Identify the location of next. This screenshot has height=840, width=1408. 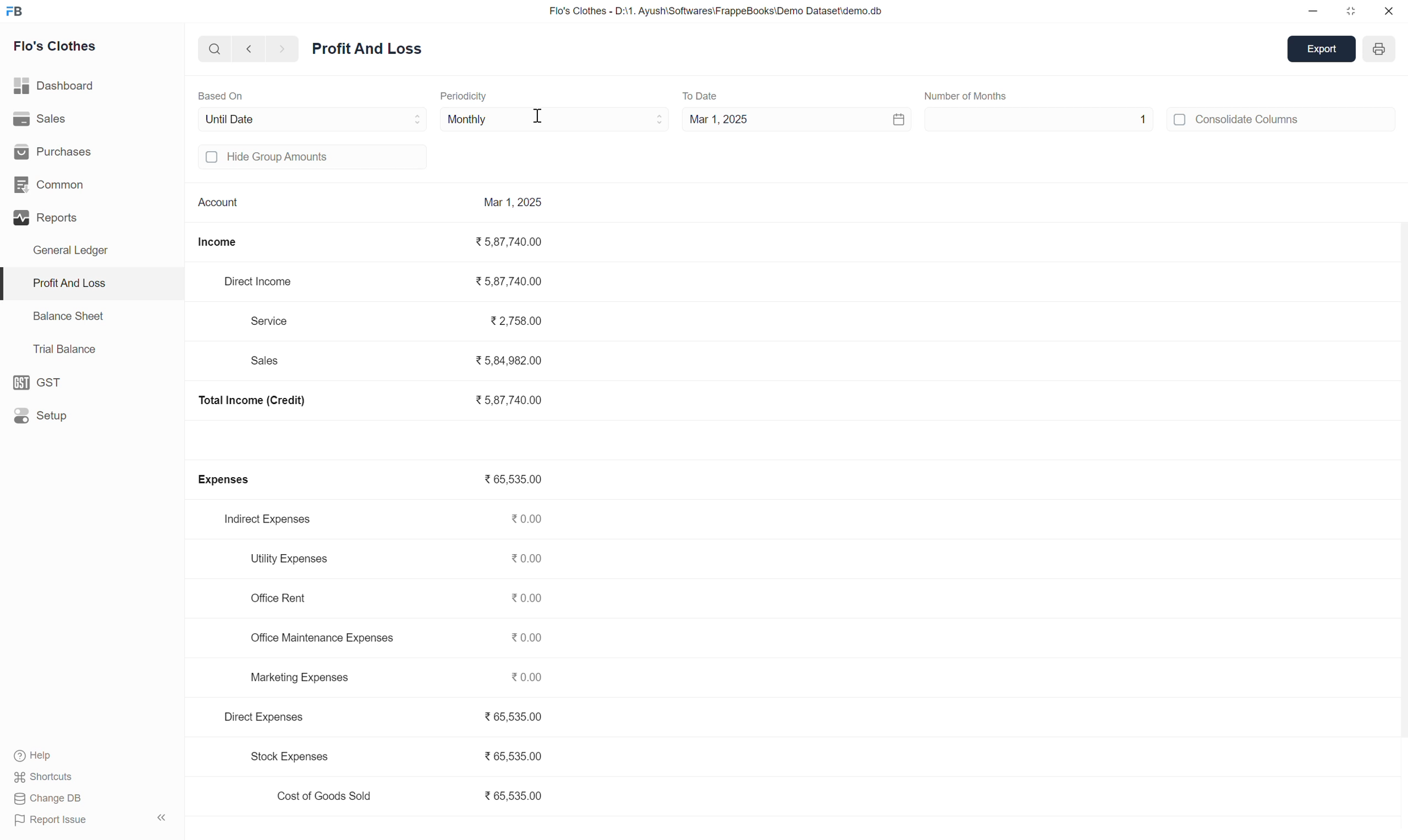
(286, 49).